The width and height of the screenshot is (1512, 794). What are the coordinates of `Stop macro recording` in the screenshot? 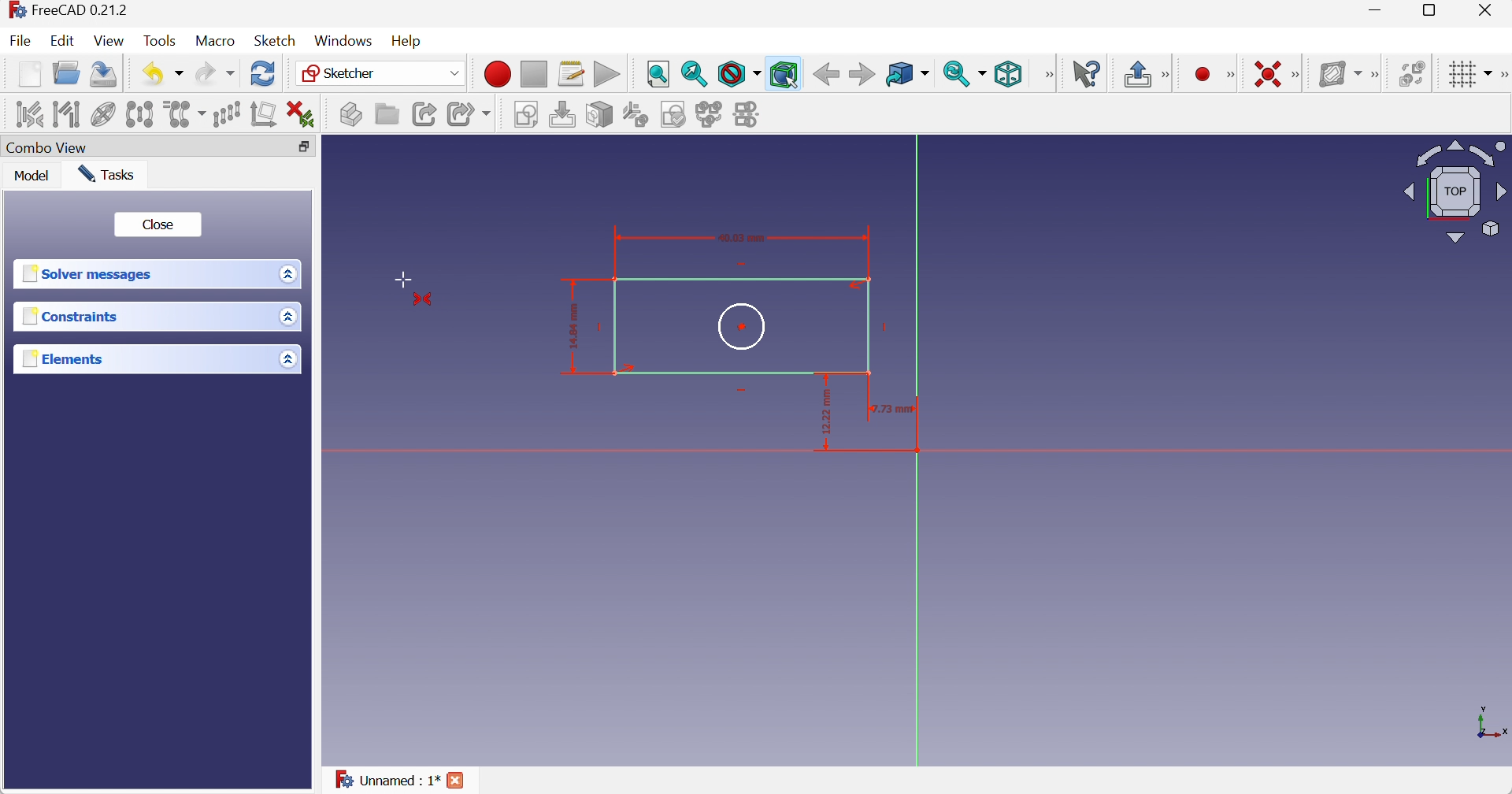 It's located at (532, 74).